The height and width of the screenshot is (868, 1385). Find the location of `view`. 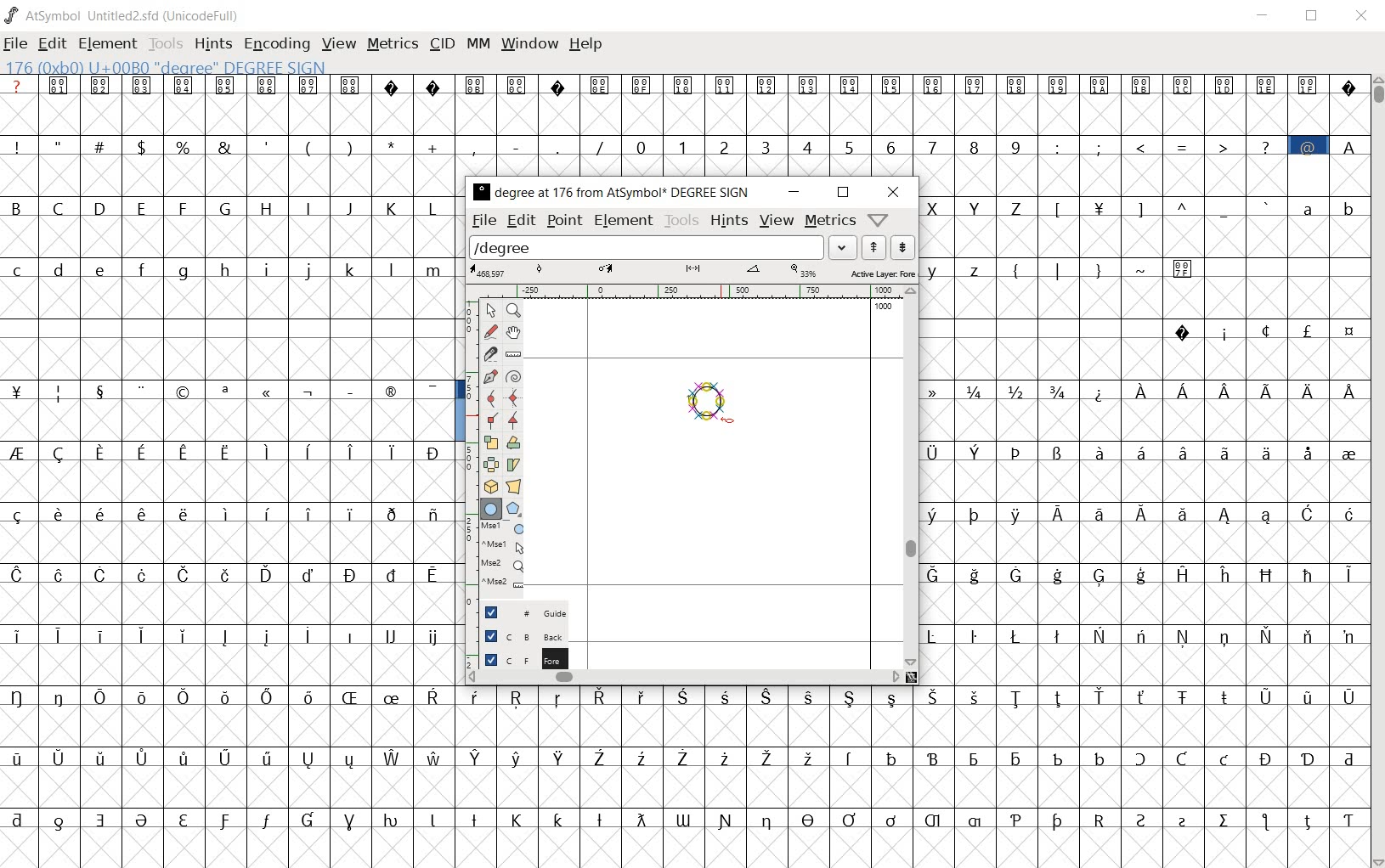

view is located at coordinates (777, 220).